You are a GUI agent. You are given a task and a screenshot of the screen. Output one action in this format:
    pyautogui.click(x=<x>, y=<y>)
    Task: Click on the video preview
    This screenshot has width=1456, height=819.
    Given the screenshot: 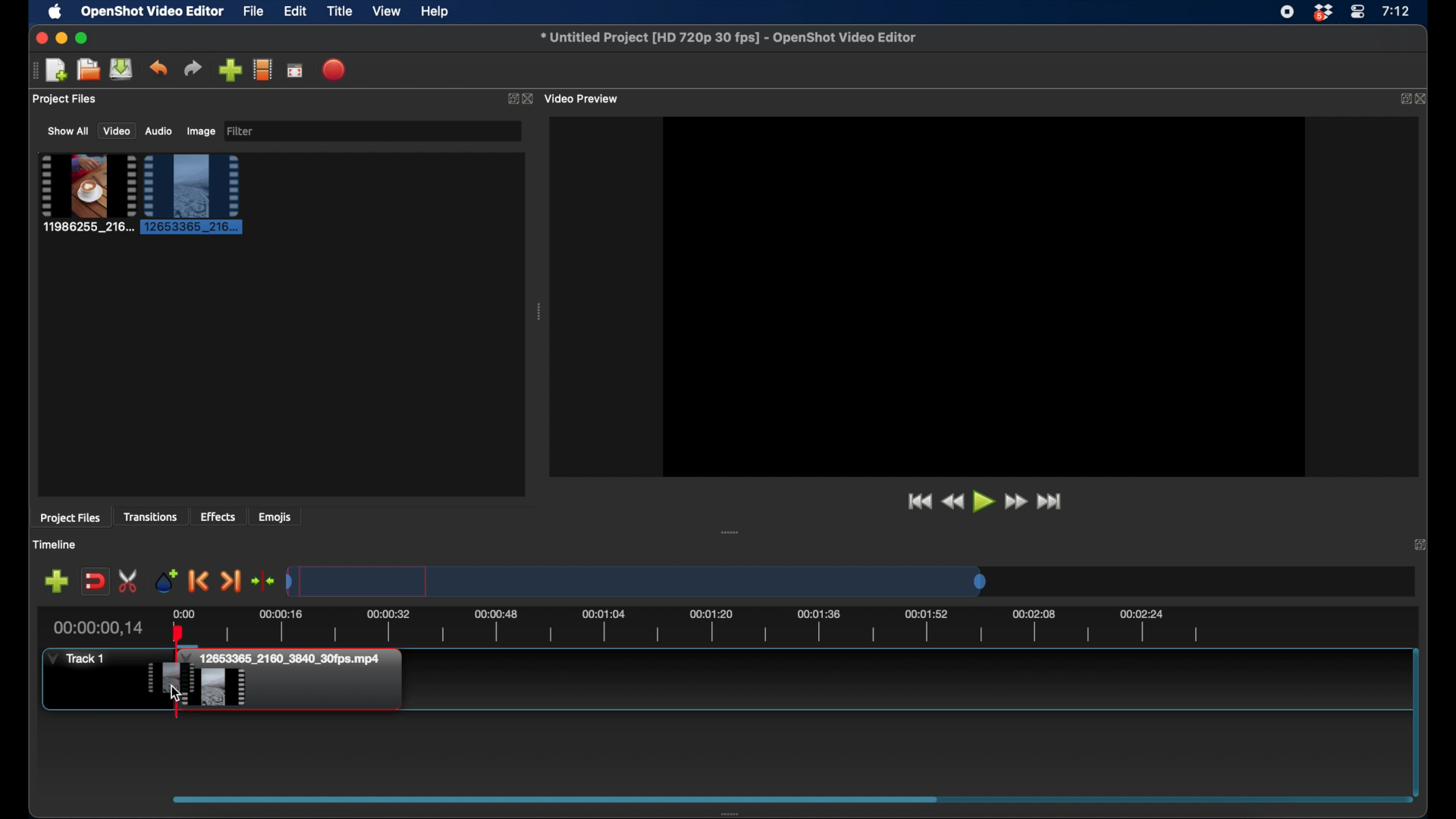 What is the action you would take?
    pyautogui.click(x=984, y=295)
    